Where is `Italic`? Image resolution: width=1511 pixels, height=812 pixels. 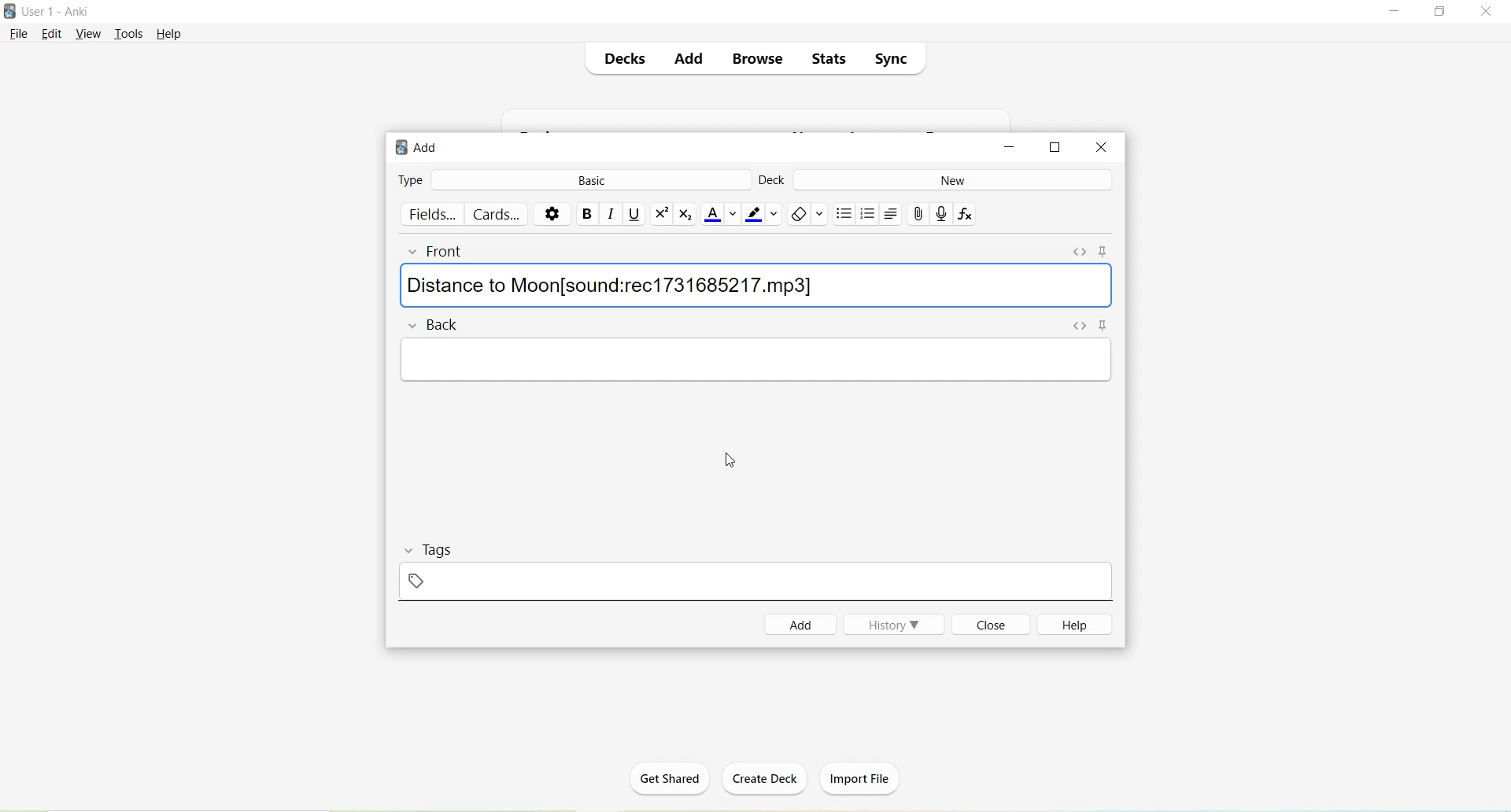
Italic is located at coordinates (611, 213).